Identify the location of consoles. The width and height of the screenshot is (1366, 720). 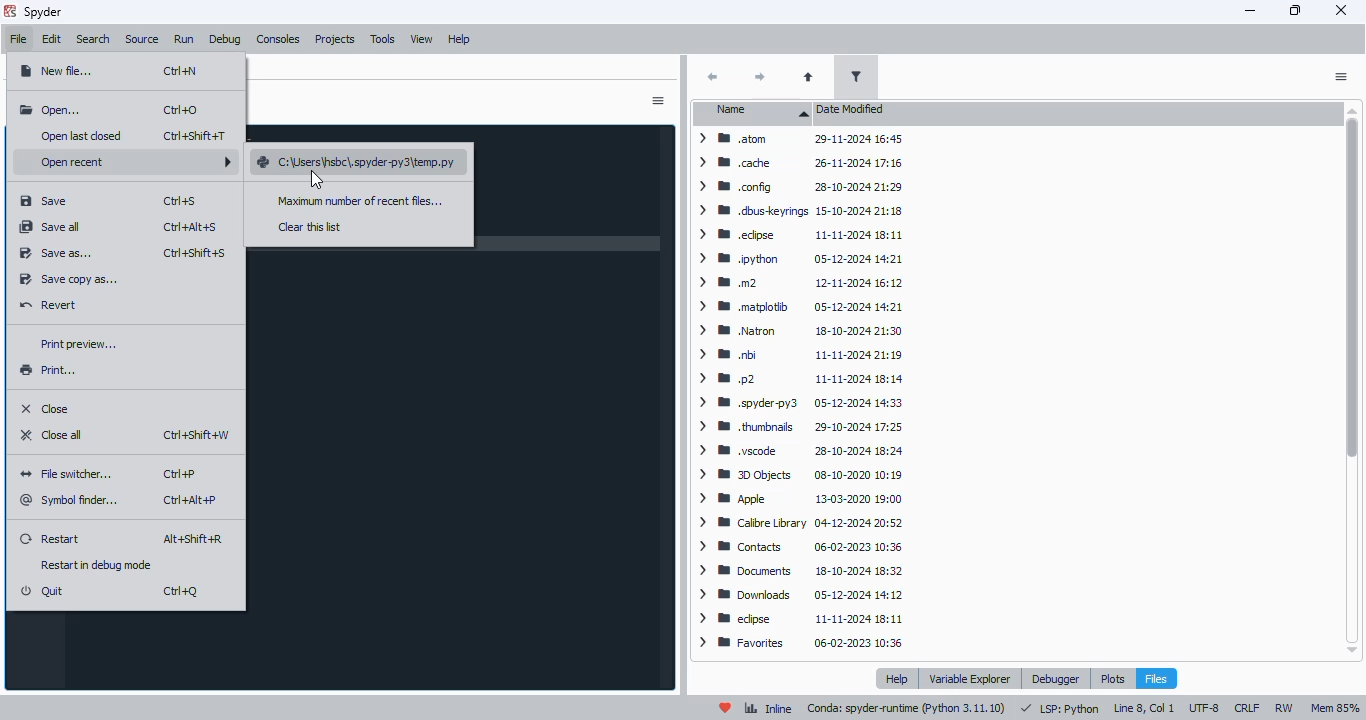
(278, 39).